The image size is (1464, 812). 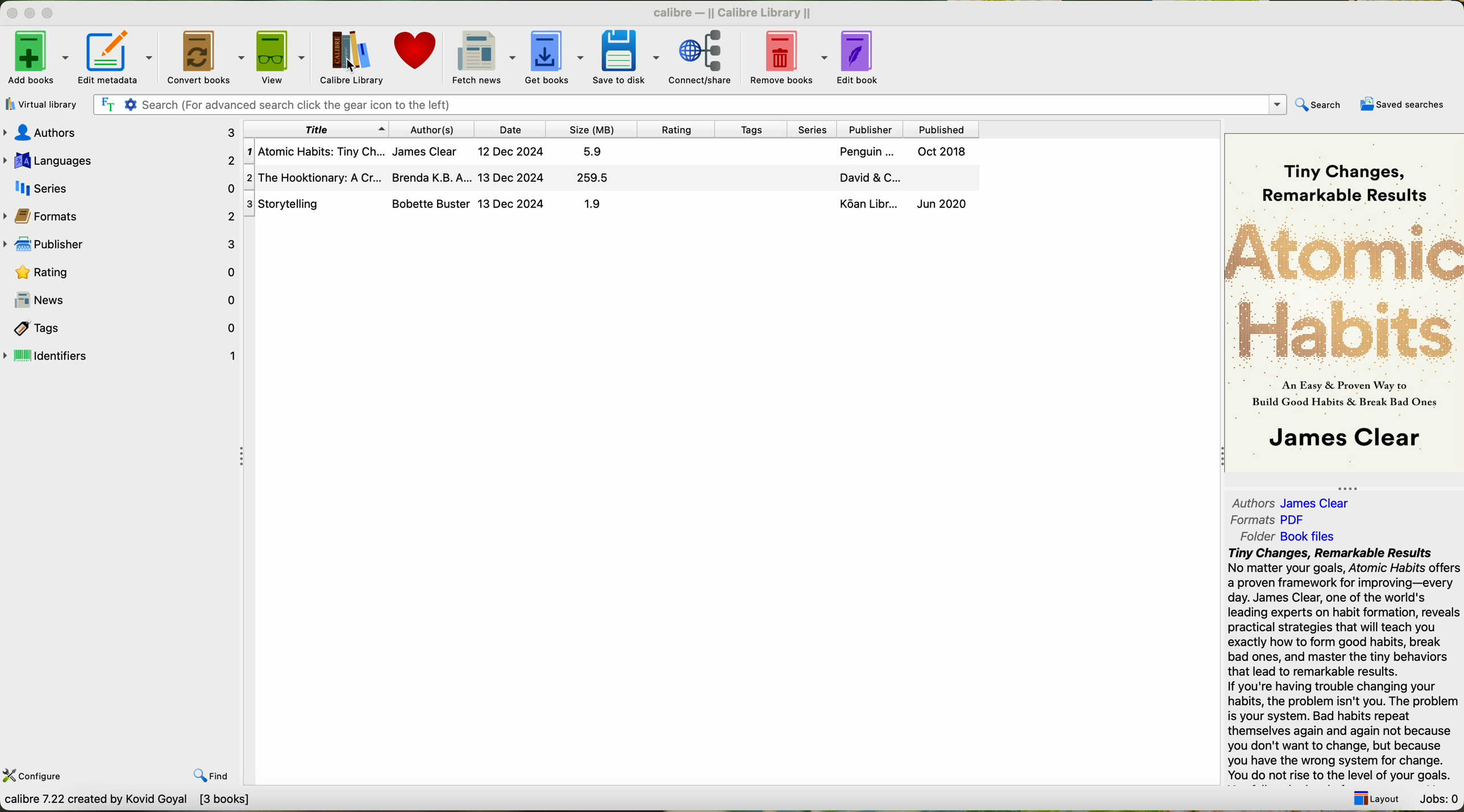 What do you see at coordinates (315, 130) in the screenshot?
I see `title` at bounding box center [315, 130].